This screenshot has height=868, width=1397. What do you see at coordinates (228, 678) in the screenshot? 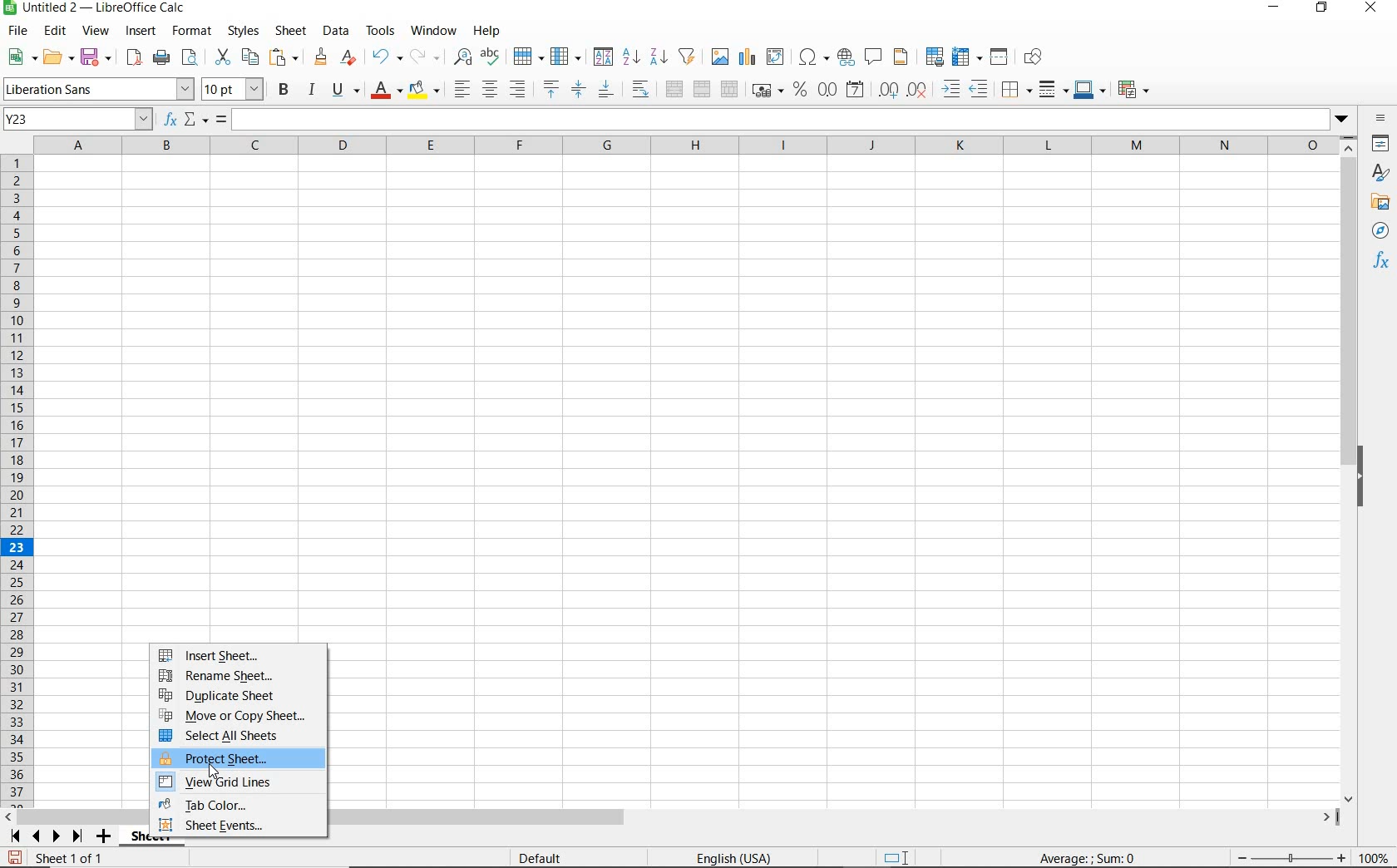
I see `RENAME SHEET` at bounding box center [228, 678].